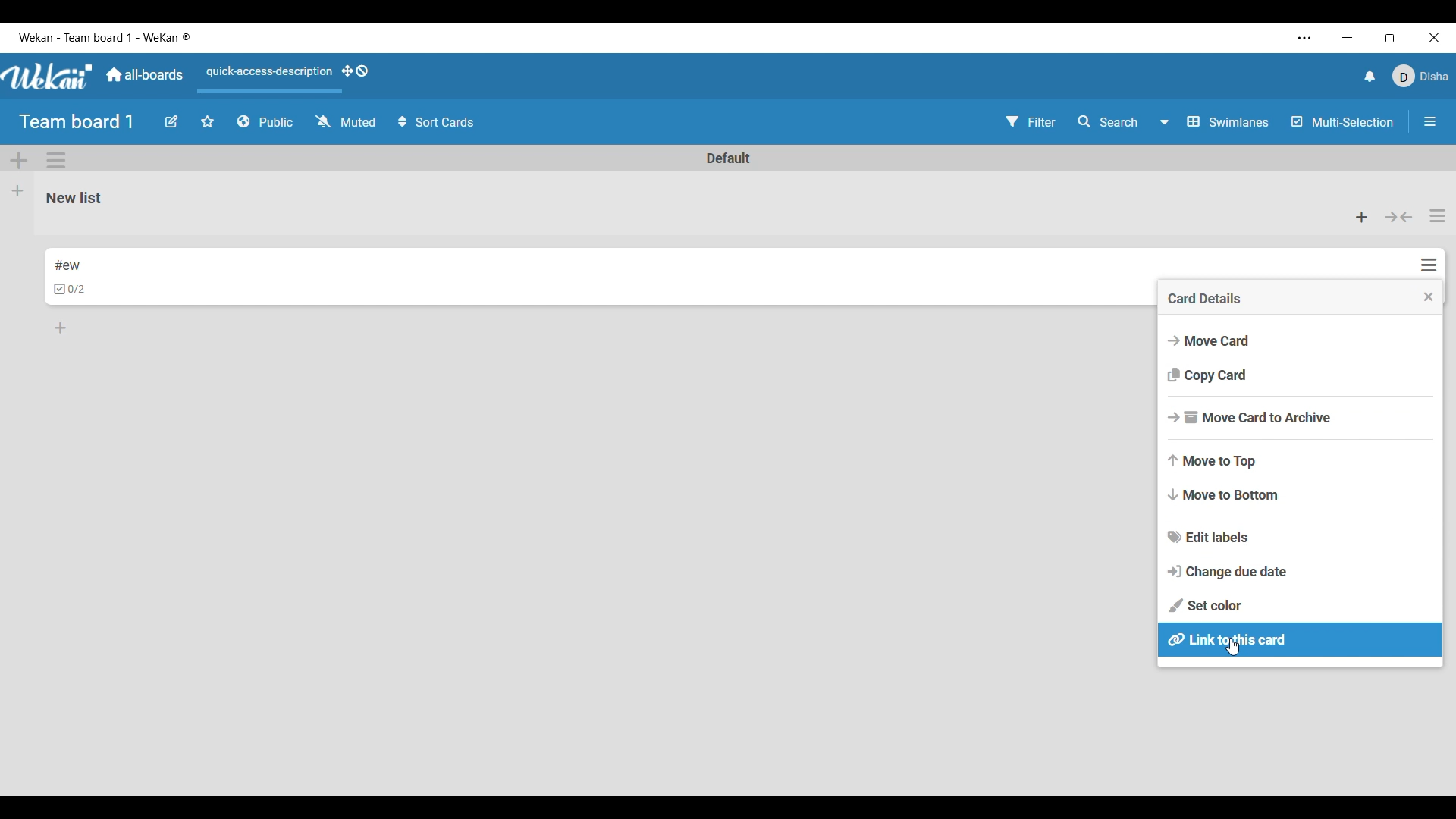 The width and height of the screenshot is (1456, 819). I want to click on Edit board, so click(171, 121).